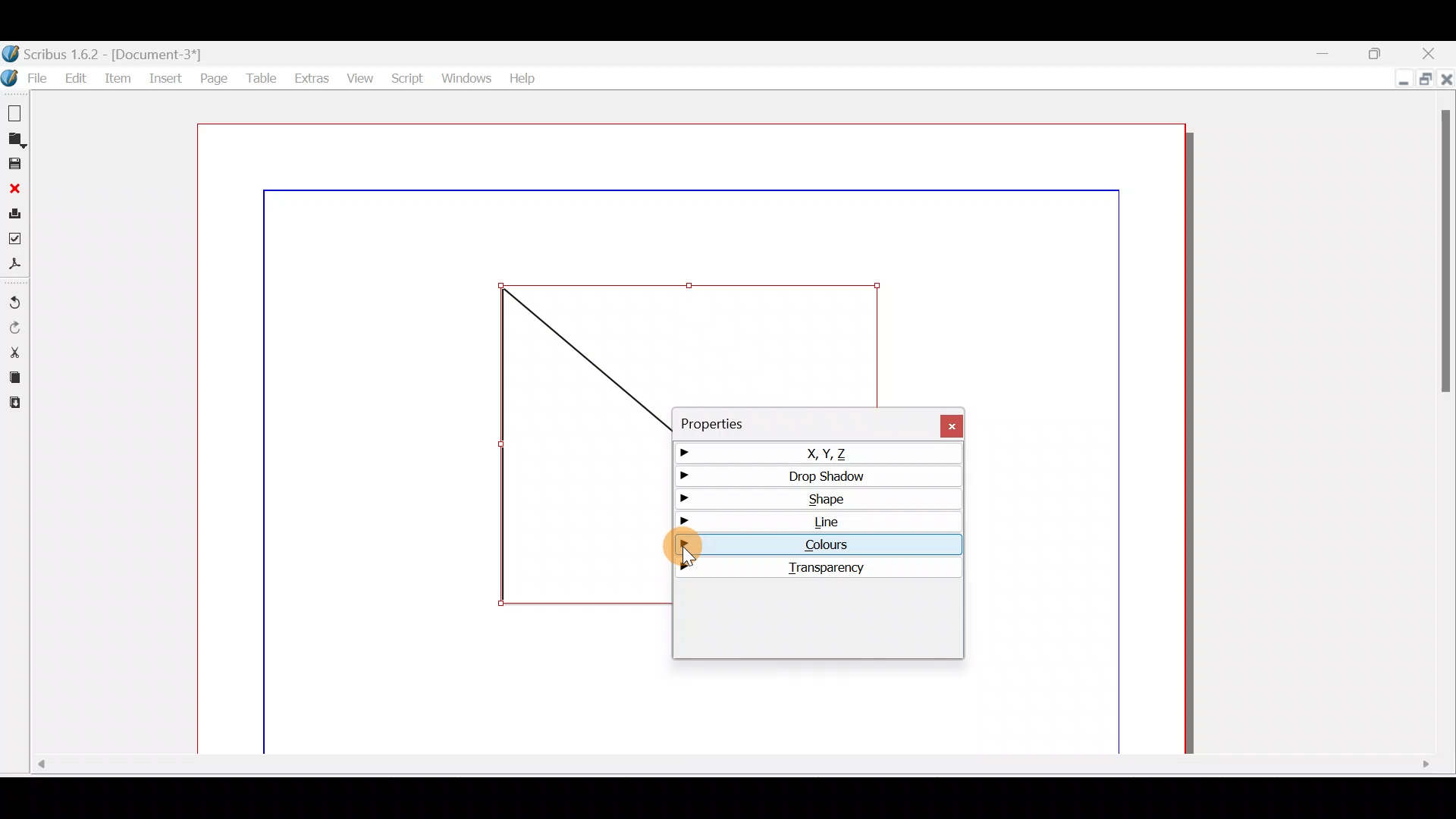 Image resolution: width=1456 pixels, height=819 pixels. Describe the element at coordinates (24, 78) in the screenshot. I see `File` at that location.